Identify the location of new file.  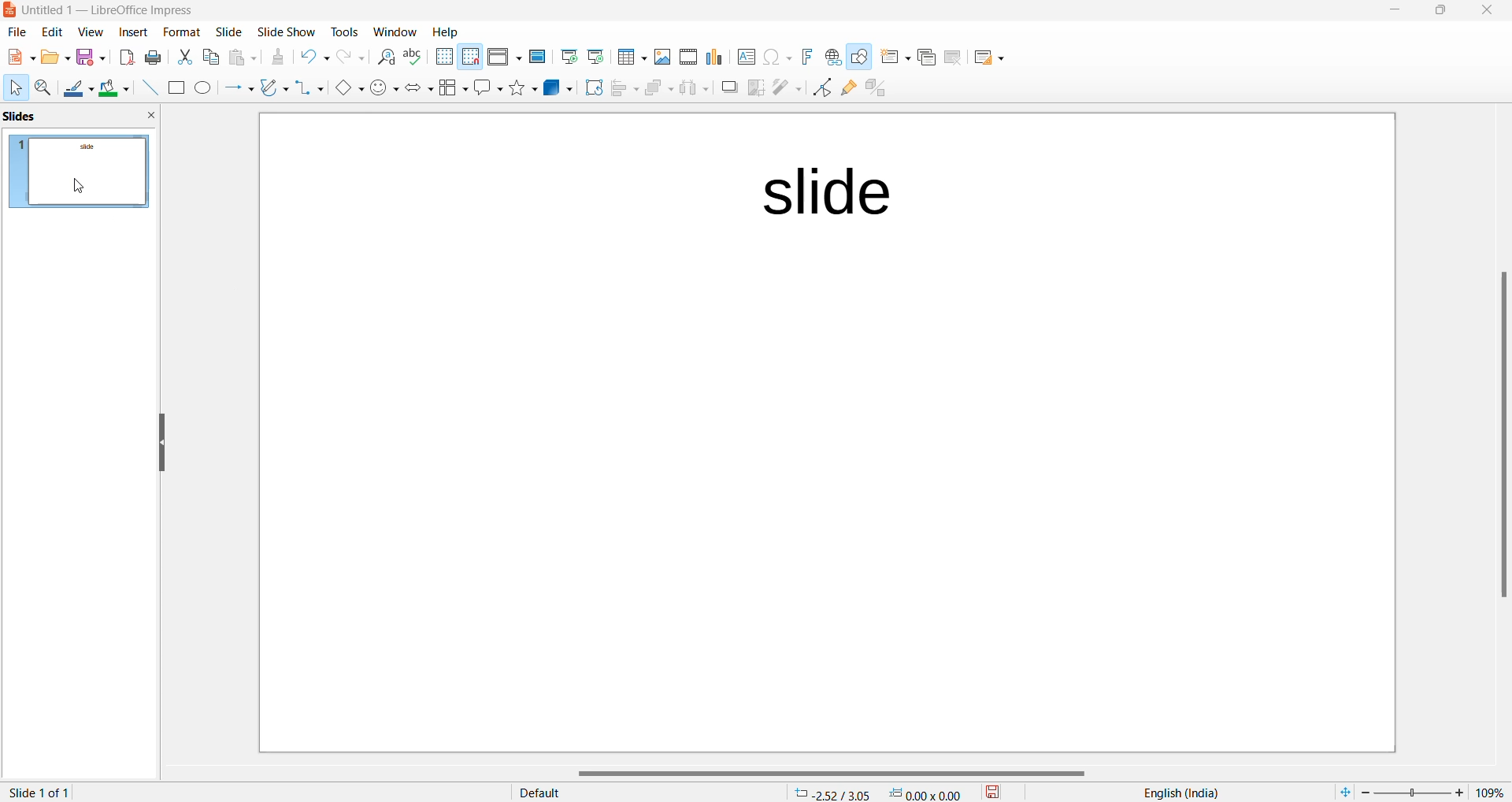
(20, 61).